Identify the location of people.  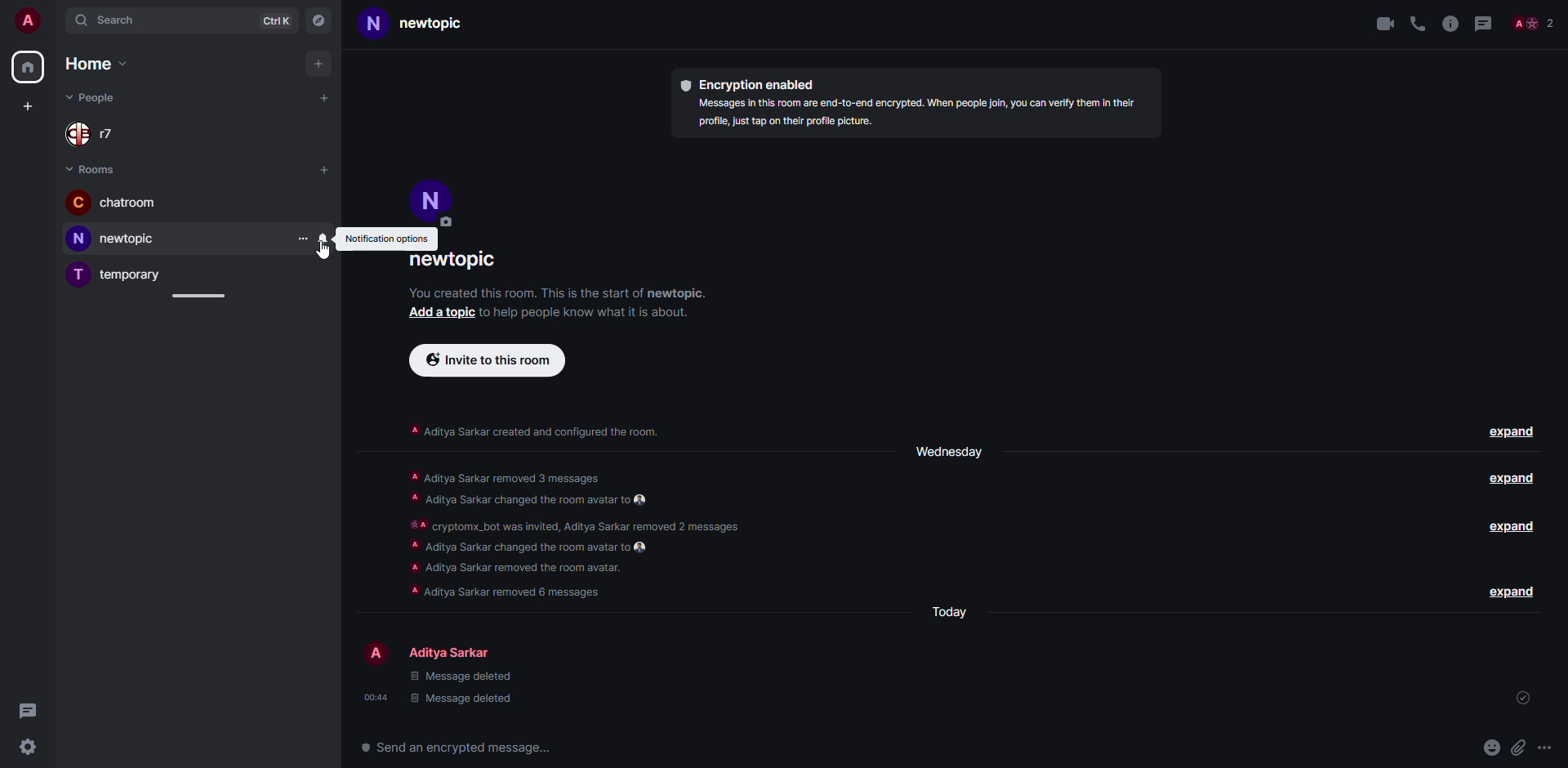
(95, 96).